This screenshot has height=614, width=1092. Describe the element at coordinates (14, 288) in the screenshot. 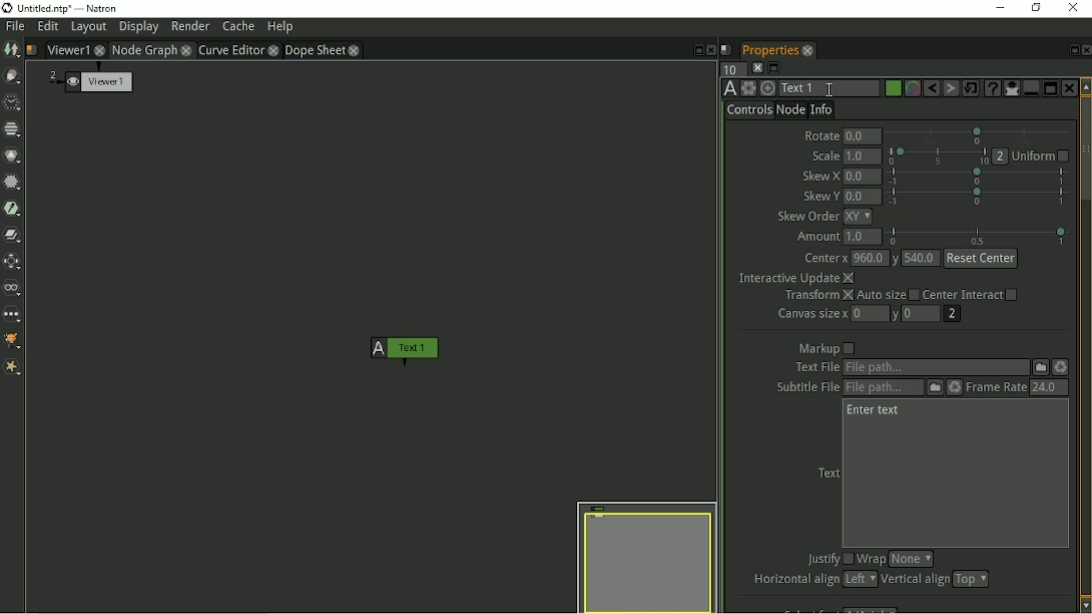

I see `Views` at that location.